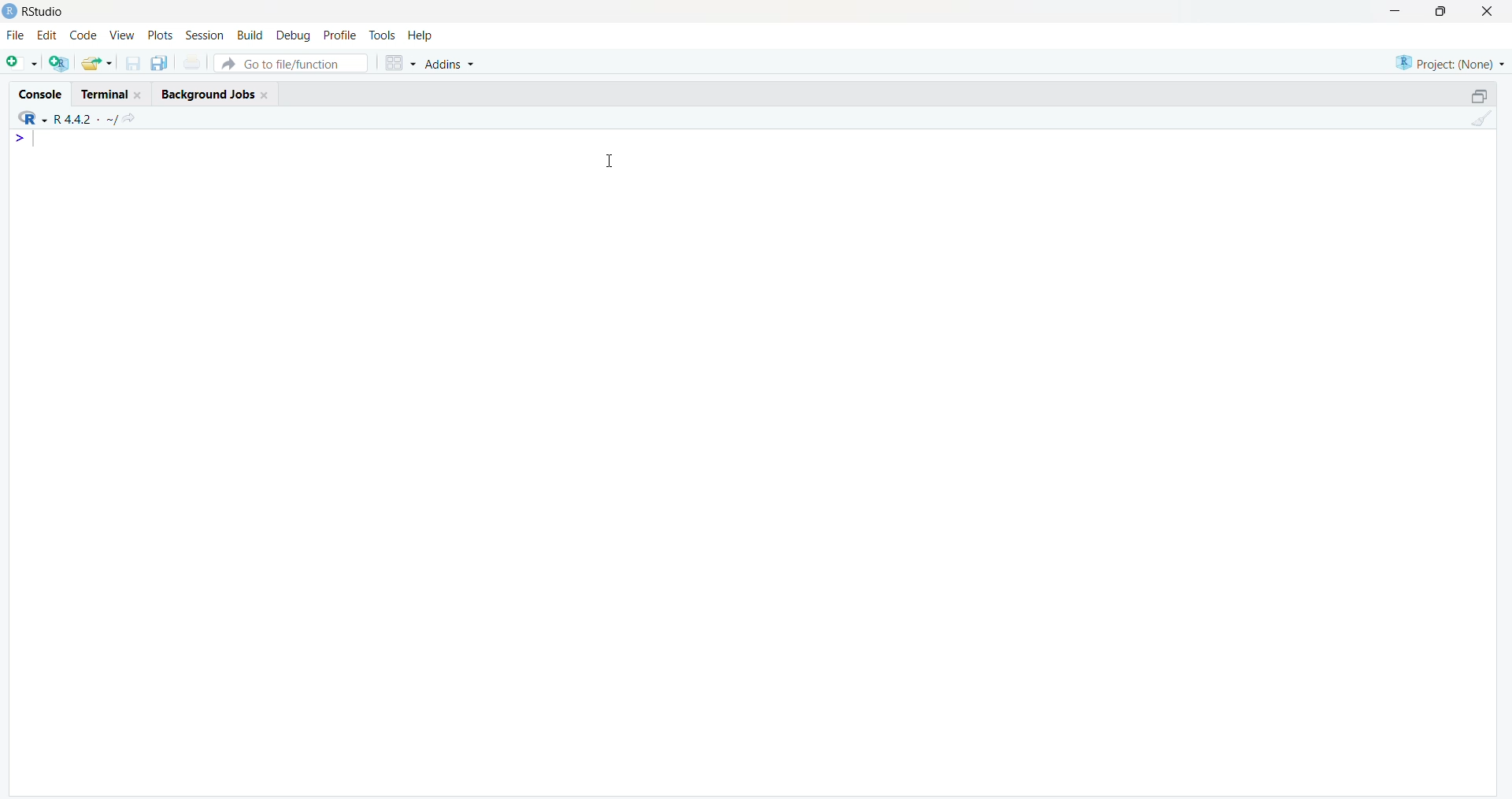 The height and width of the screenshot is (799, 1512). I want to click on debug, so click(293, 37).